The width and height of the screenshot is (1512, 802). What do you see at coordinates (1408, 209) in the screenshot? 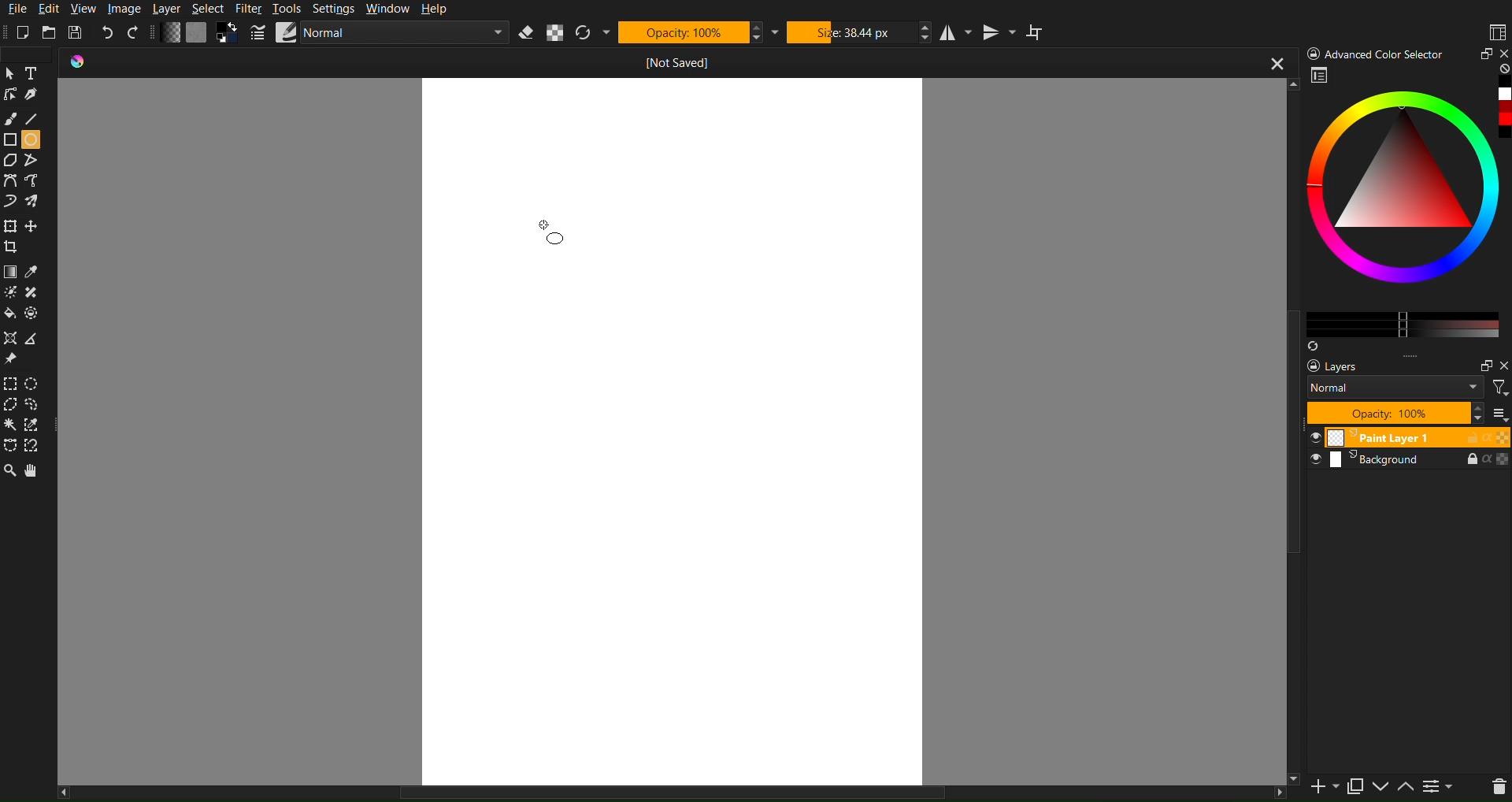
I see `Advanced Color Selector` at bounding box center [1408, 209].